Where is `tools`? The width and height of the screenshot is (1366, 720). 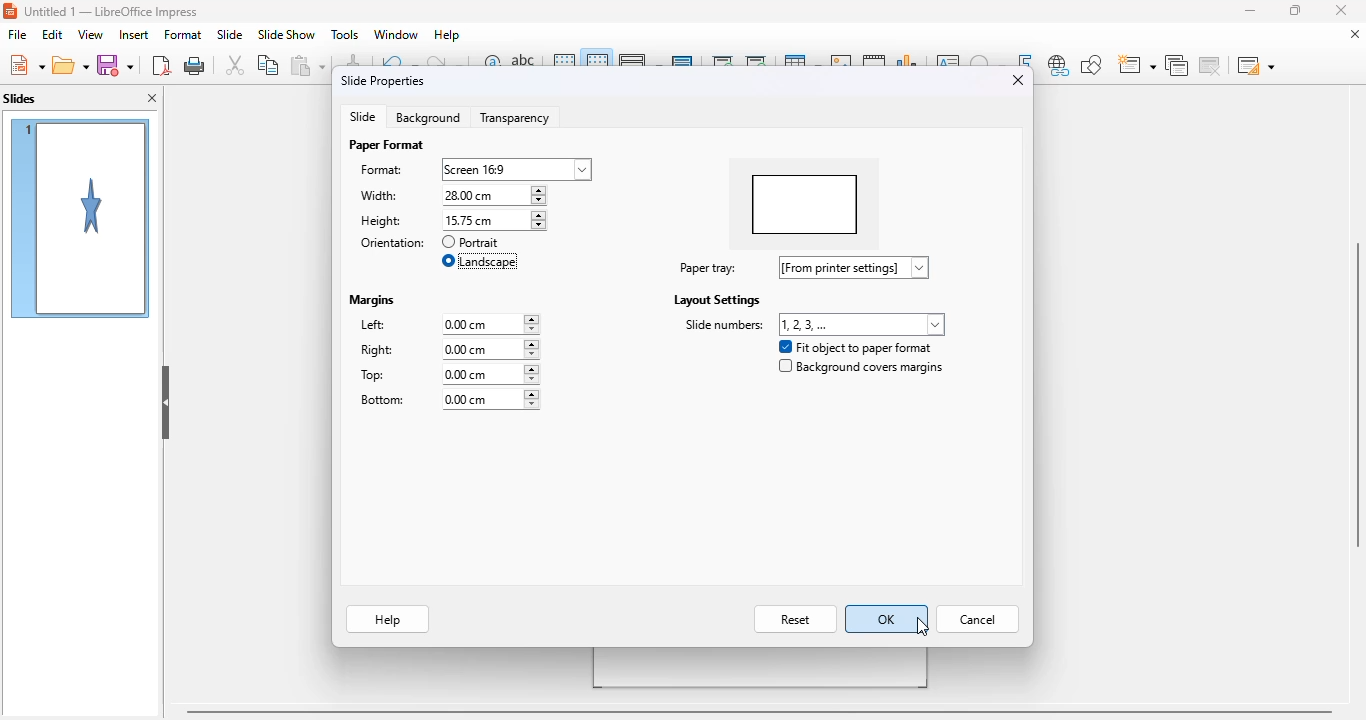
tools is located at coordinates (345, 34).